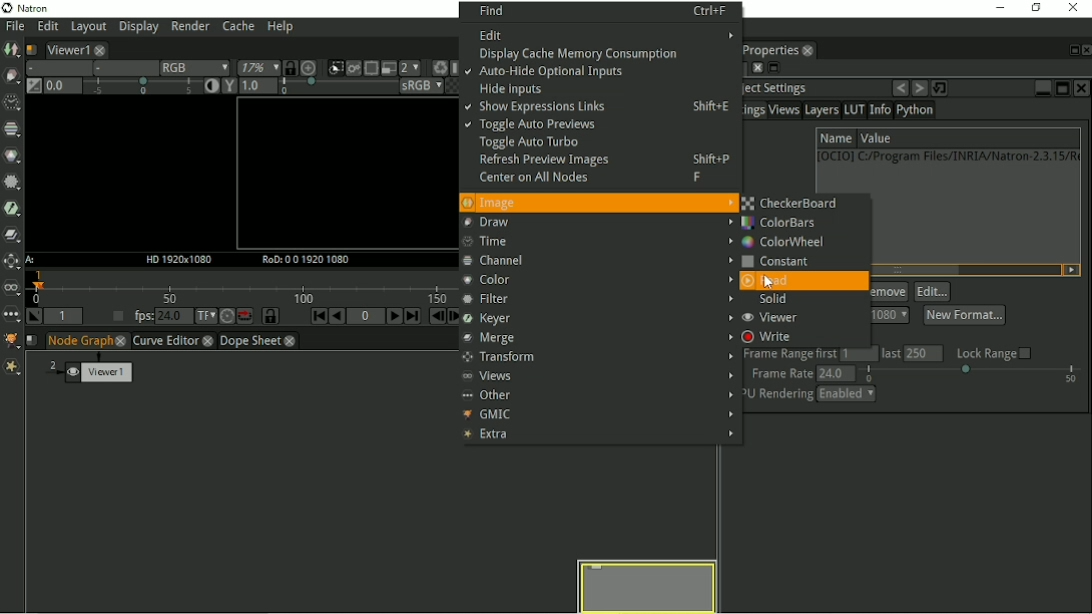 This screenshot has width=1092, height=614. I want to click on Auto hide optional inputs, so click(547, 73).